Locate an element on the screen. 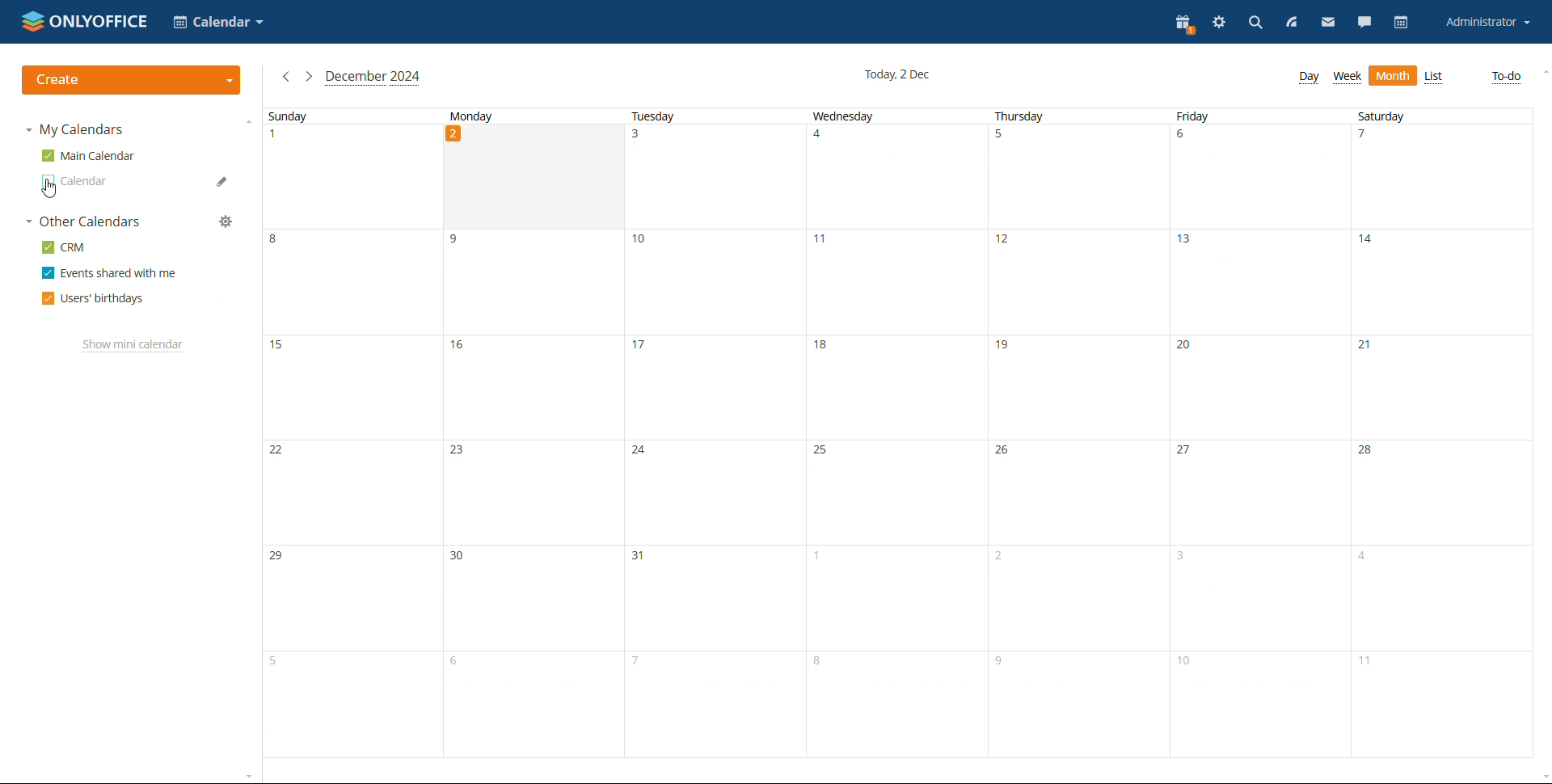 This screenshot has height=784, width=1552. manage is located at coordinates (226, 221).